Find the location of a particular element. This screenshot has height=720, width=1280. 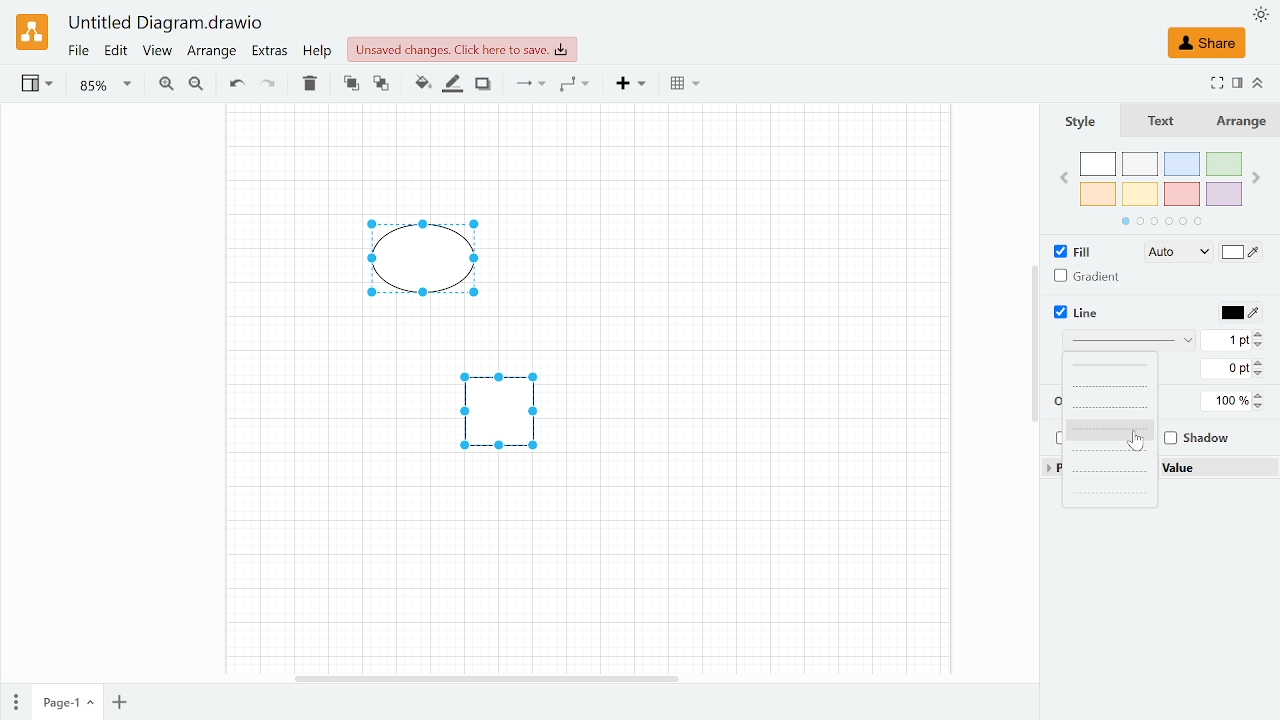

 is located at coordinates (1218, 83).